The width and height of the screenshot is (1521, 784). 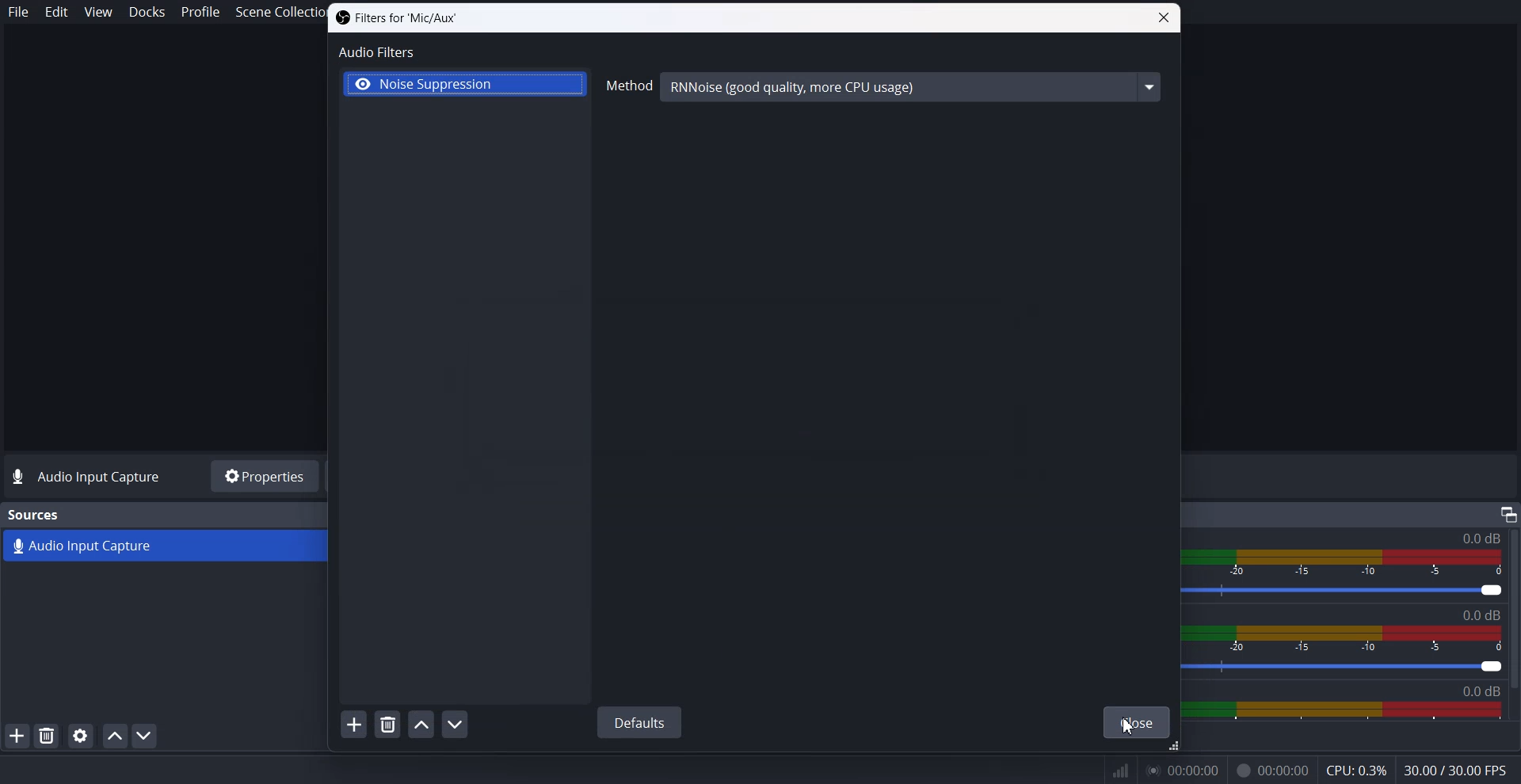 What do you see at coordinates (1121, 771) in the screenshot?
I see `Inf` at bounding box center [1121, 771].